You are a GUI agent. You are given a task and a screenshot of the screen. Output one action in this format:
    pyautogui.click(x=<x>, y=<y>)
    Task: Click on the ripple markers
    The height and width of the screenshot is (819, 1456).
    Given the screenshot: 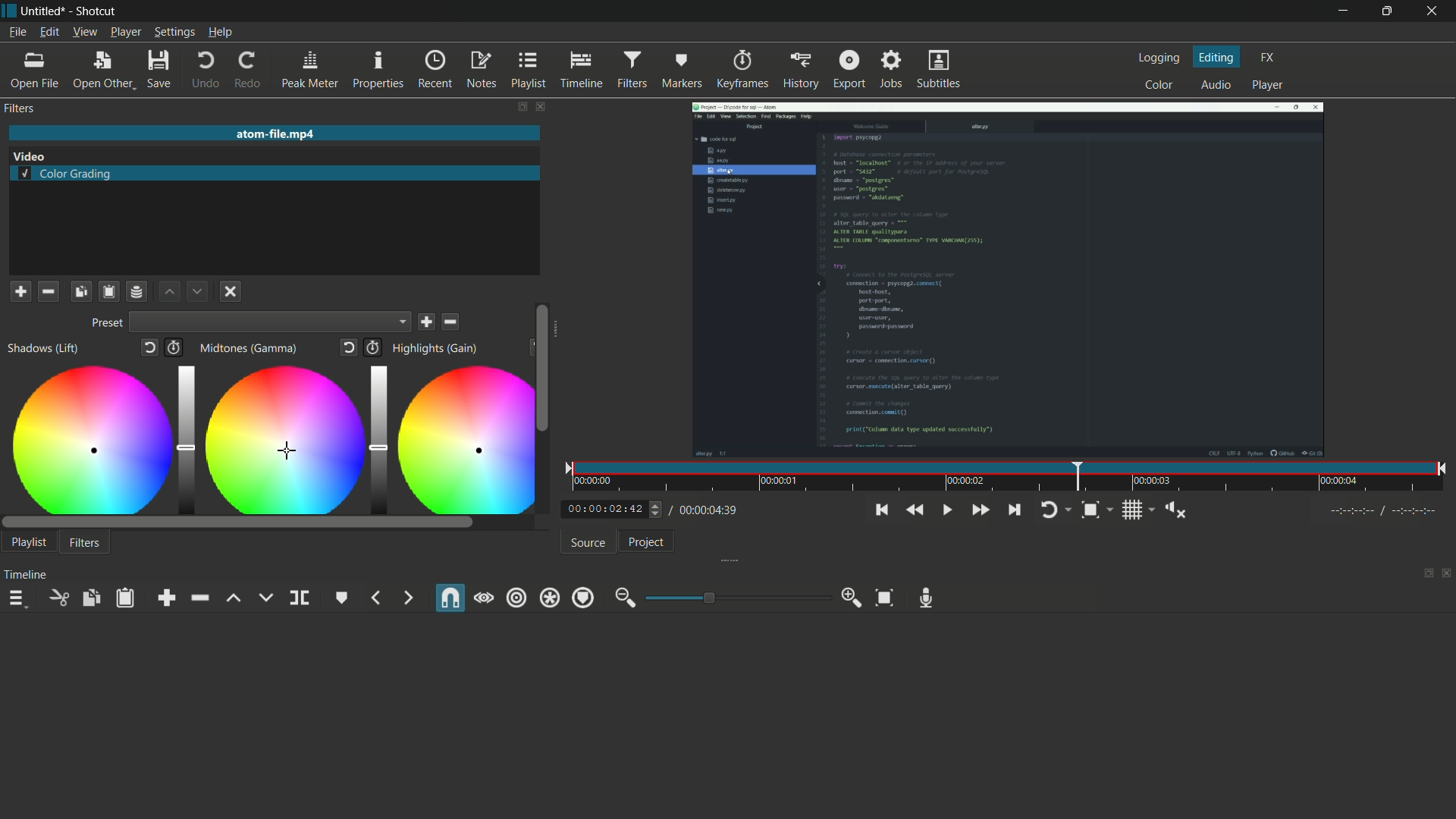 What is the action you would take?
    pyautogui.click(x=583, y=598)
    